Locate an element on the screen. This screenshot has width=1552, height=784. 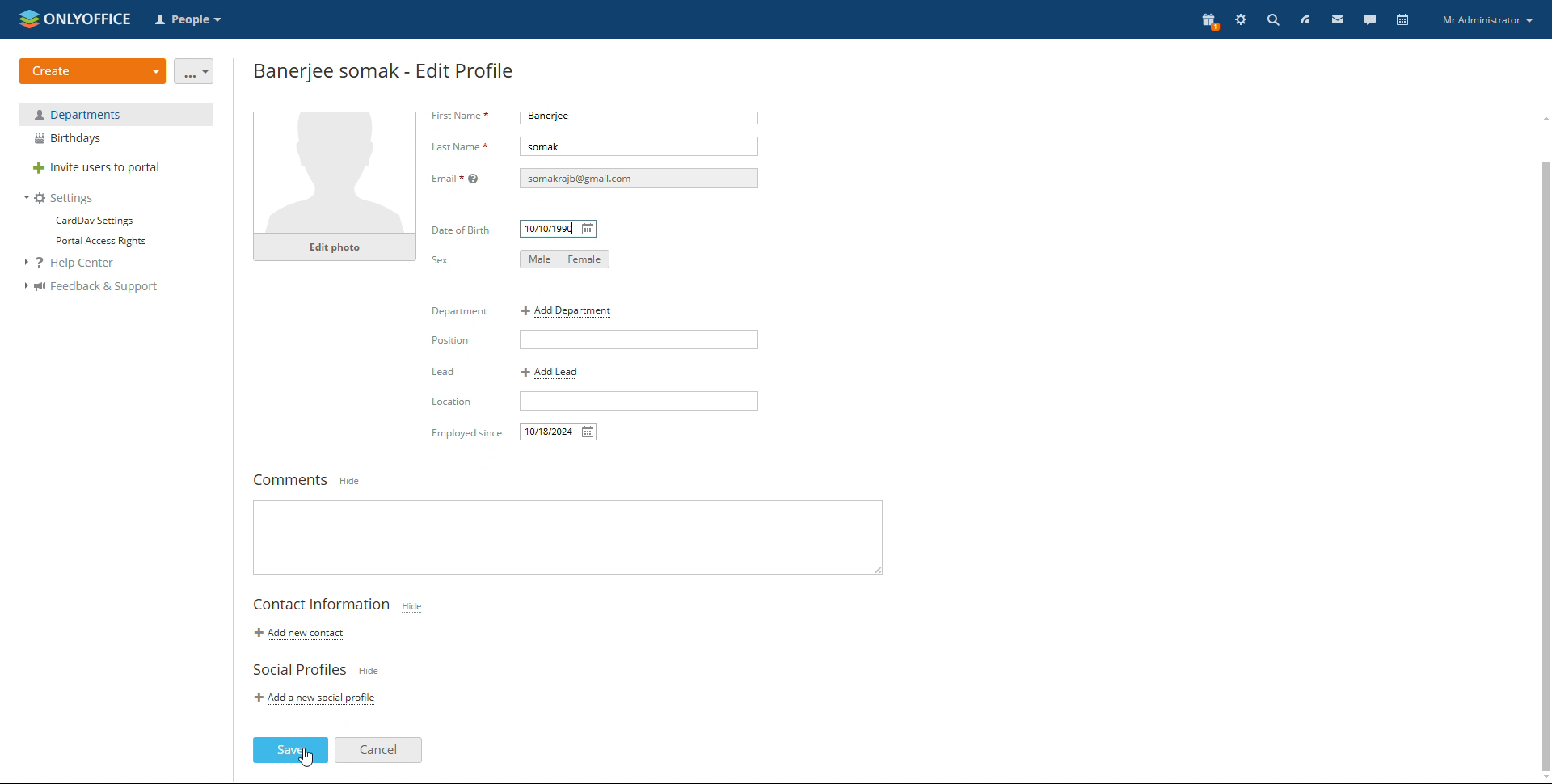
feed is located at coordinates (1304, 19).